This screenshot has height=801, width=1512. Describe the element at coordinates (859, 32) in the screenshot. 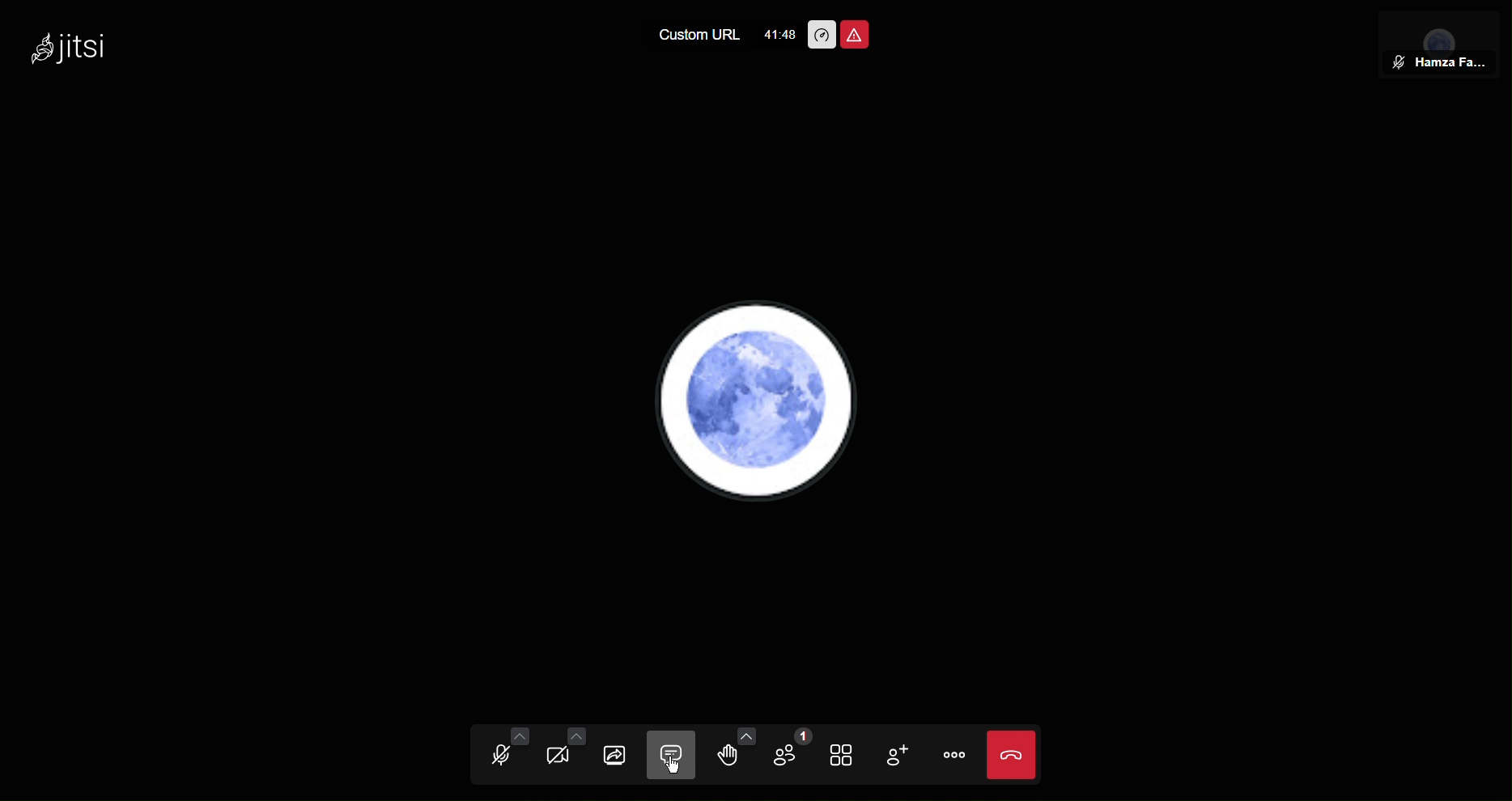

I see `Unsafe Meeting` at that location.